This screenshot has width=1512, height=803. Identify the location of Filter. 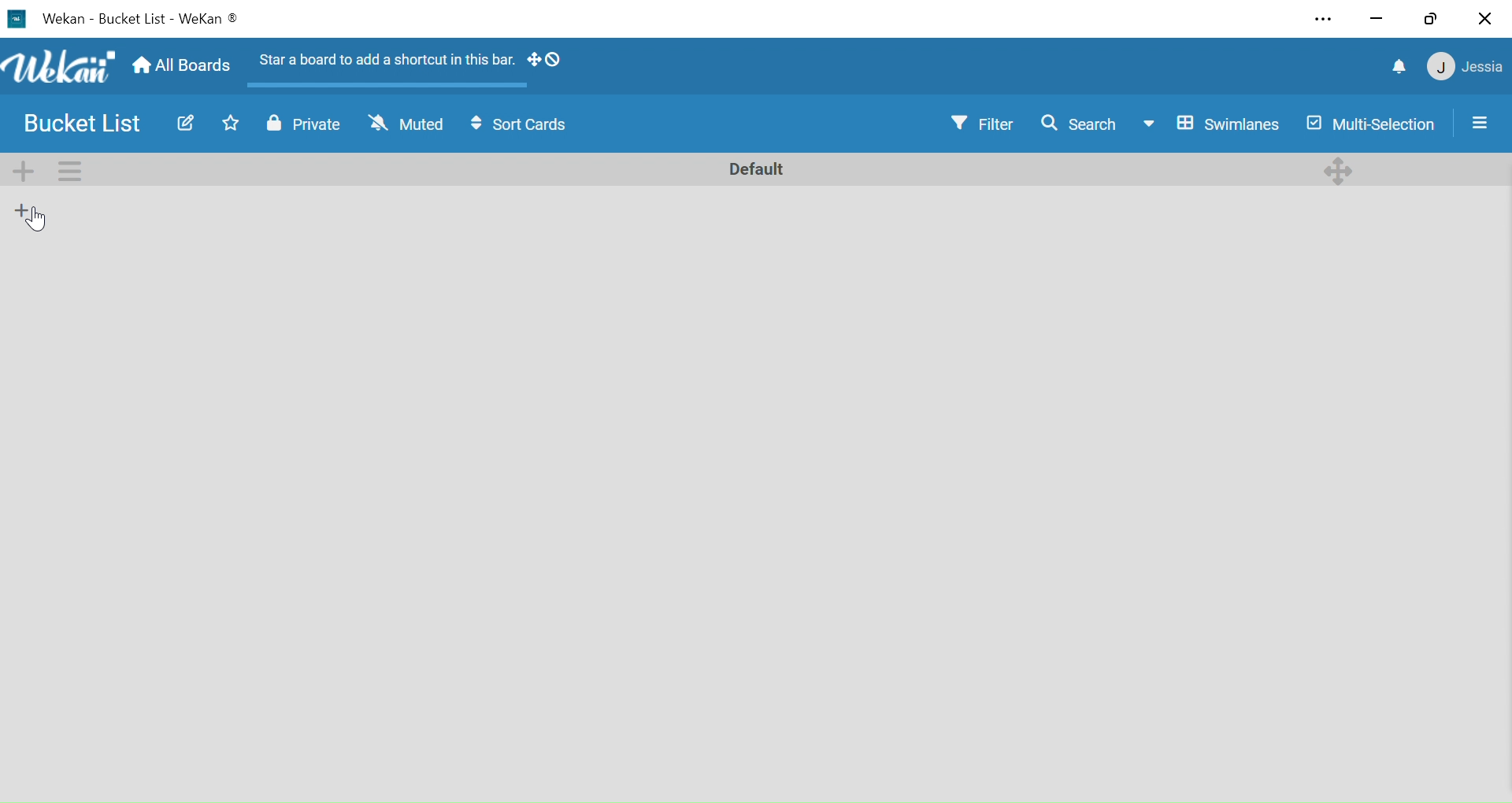
(985, 124).